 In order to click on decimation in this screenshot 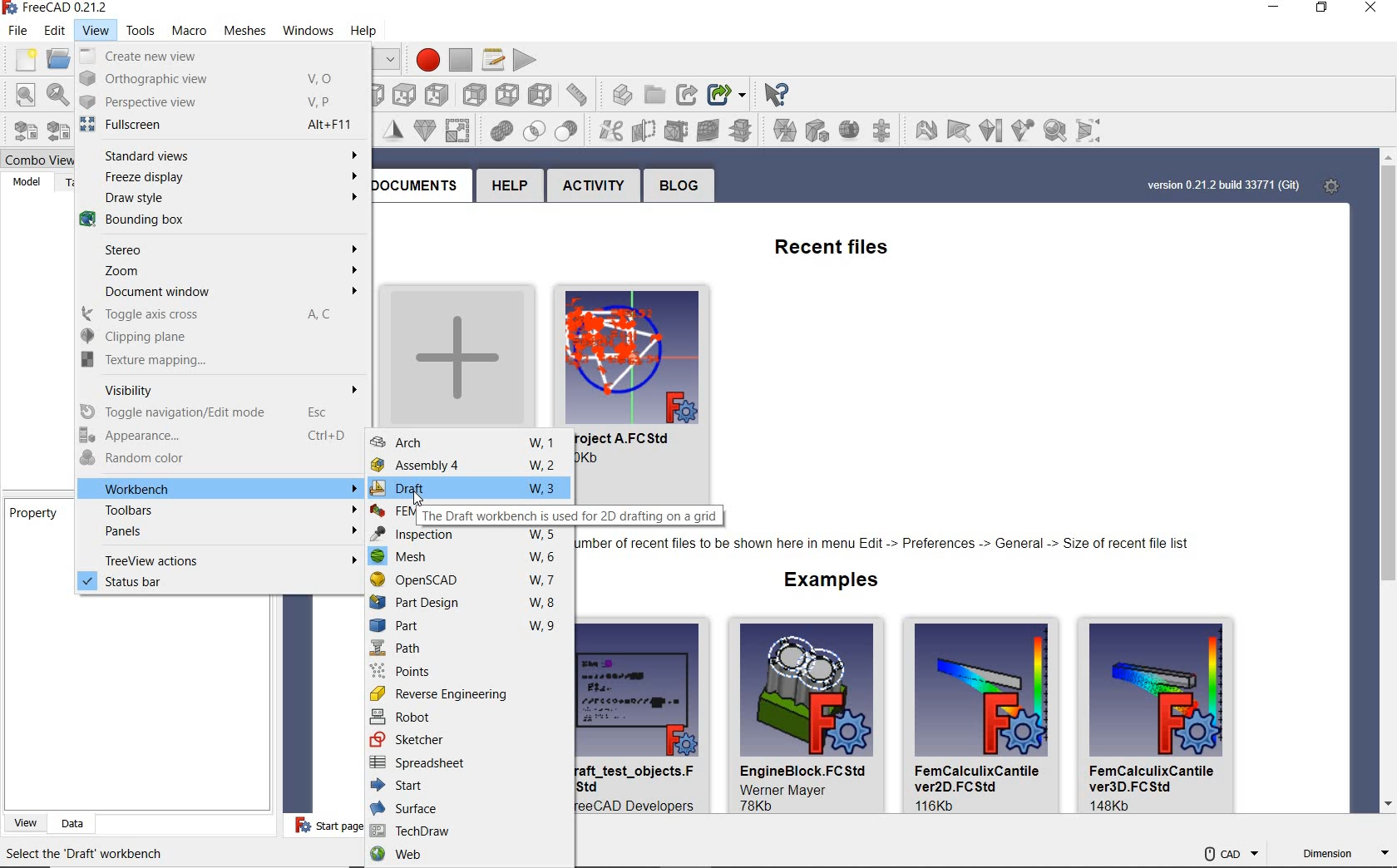, I will do `click(395, 127)`.